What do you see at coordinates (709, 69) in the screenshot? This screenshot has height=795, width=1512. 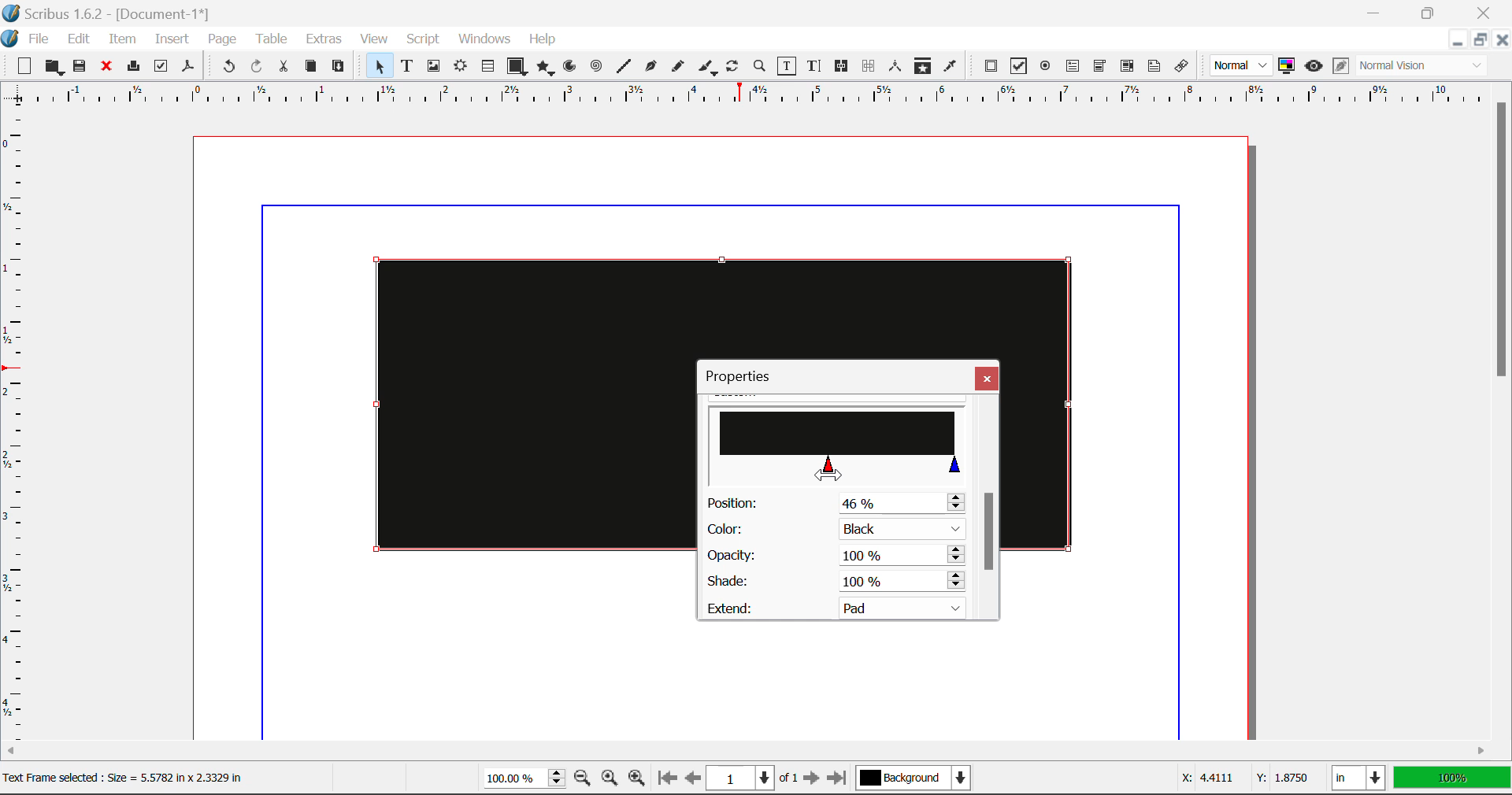 I see `Calligraphic Line` at bounding box center [709, 69].